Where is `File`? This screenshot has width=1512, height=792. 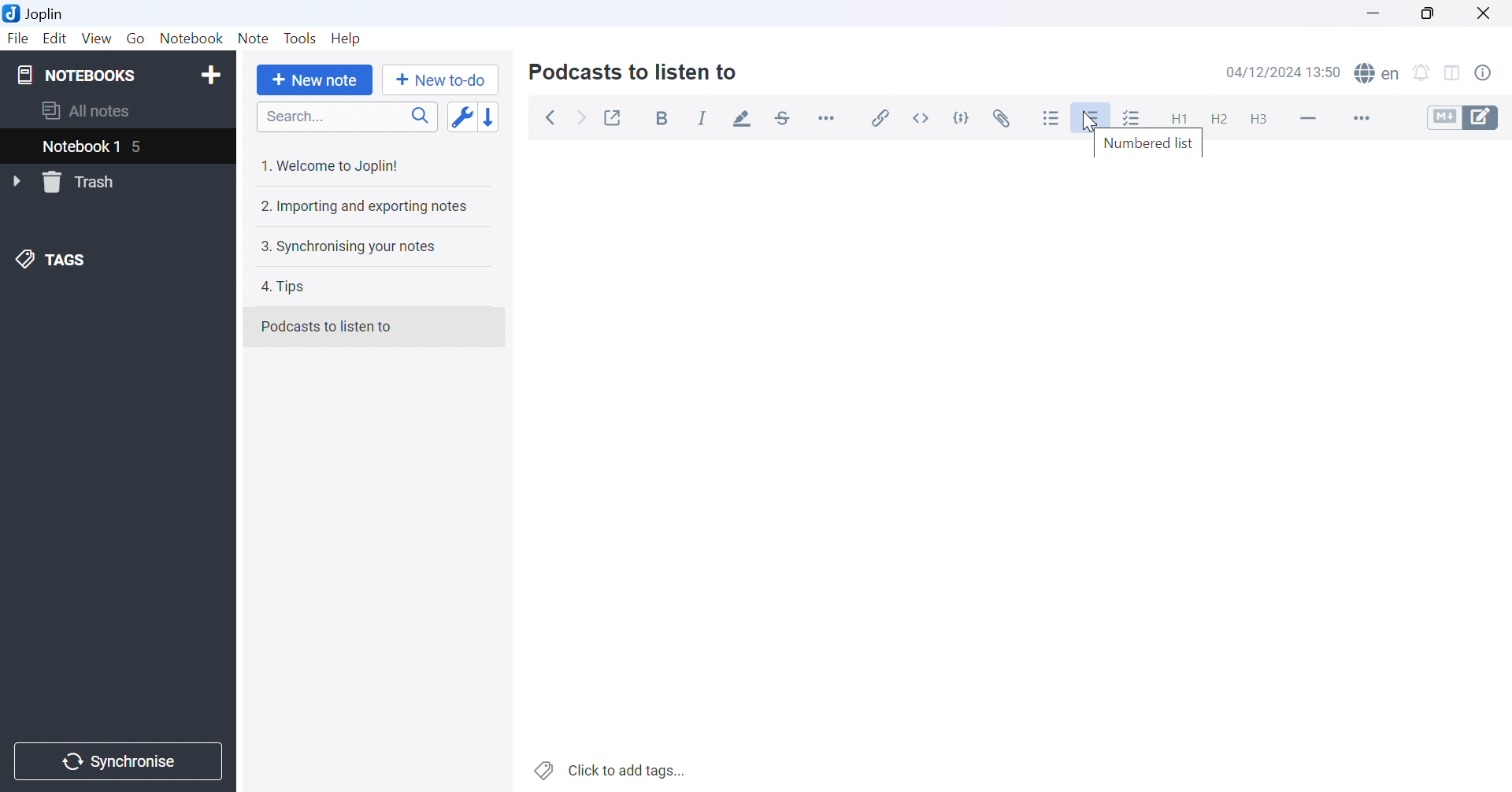
File is located at coordinates (18, 40).